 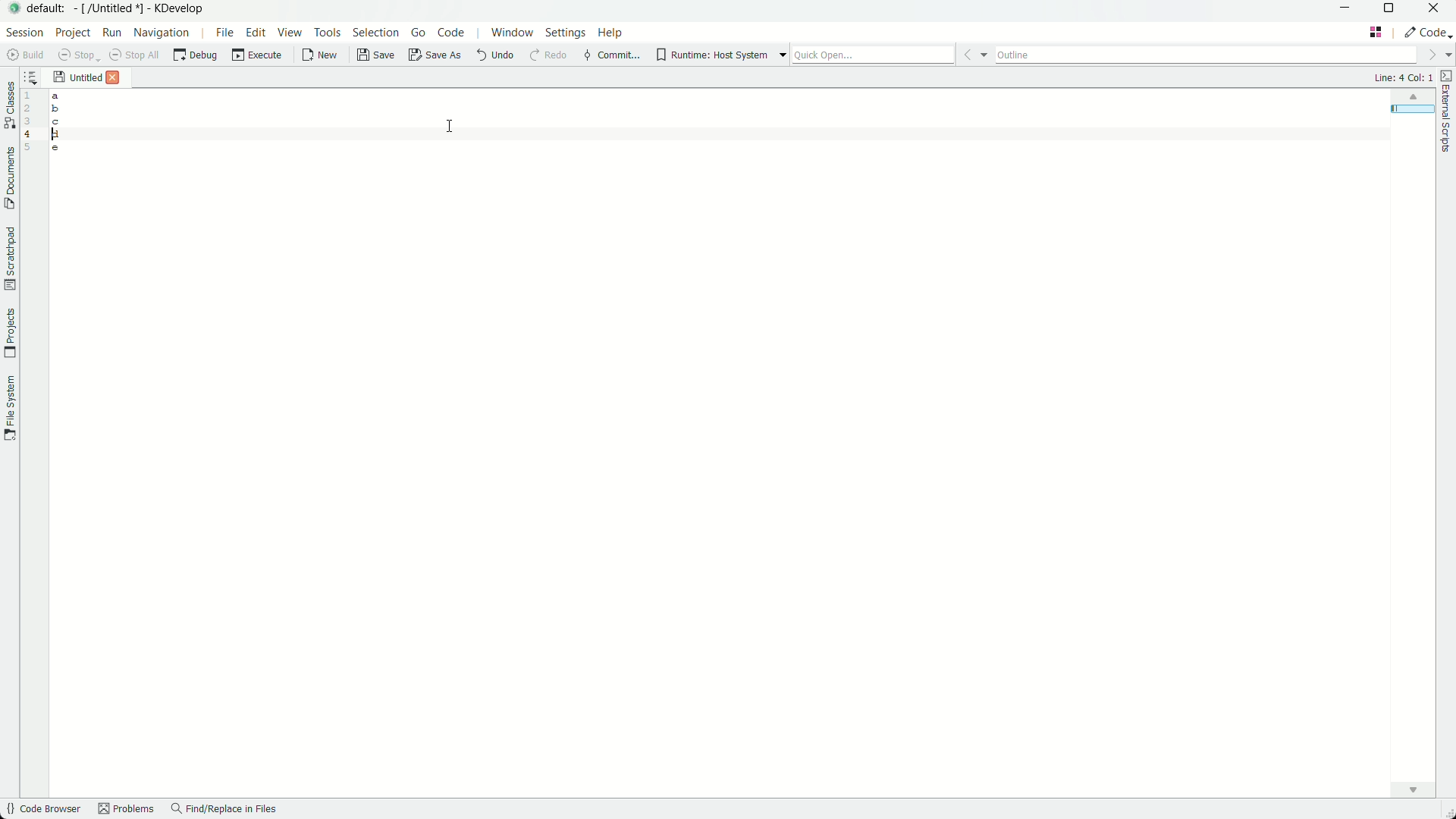 What do you see at coordinates (56, 151) in the screenshot?
I see `e` at bounding box center [56, 151].